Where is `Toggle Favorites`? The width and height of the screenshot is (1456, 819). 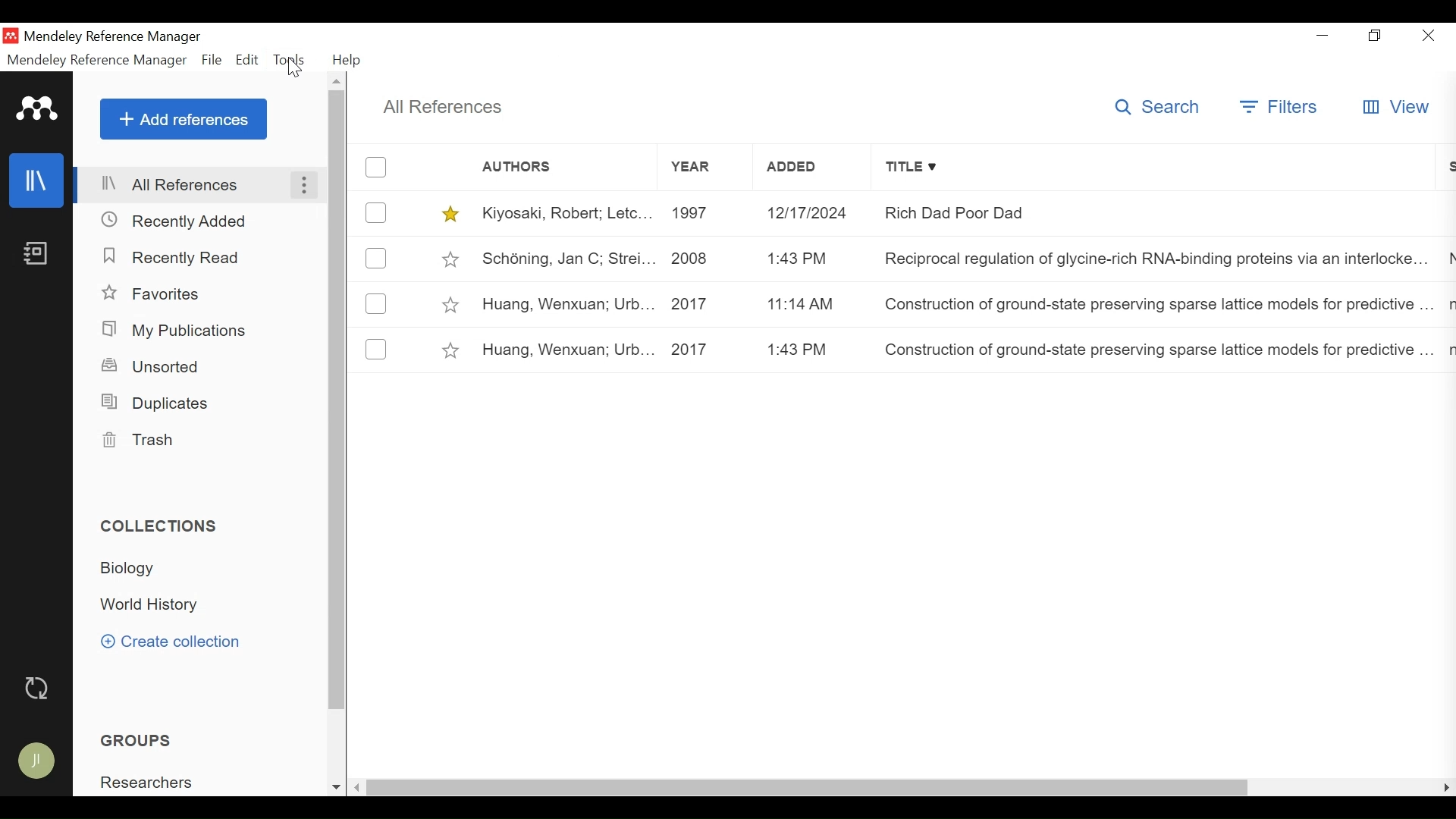
Toggle Favorites is located at coordinates (449, 303).